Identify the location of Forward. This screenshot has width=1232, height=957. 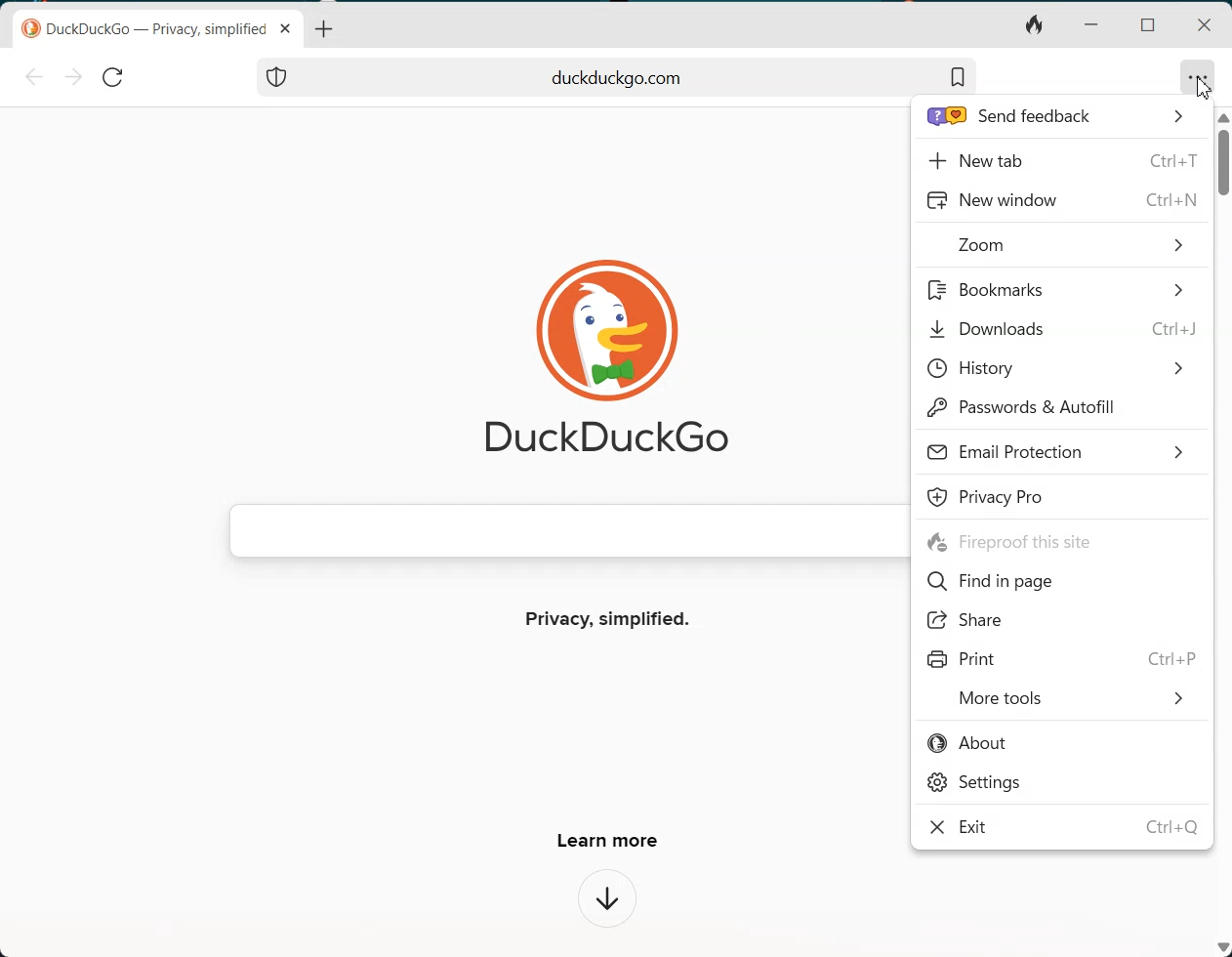
(72, 78).